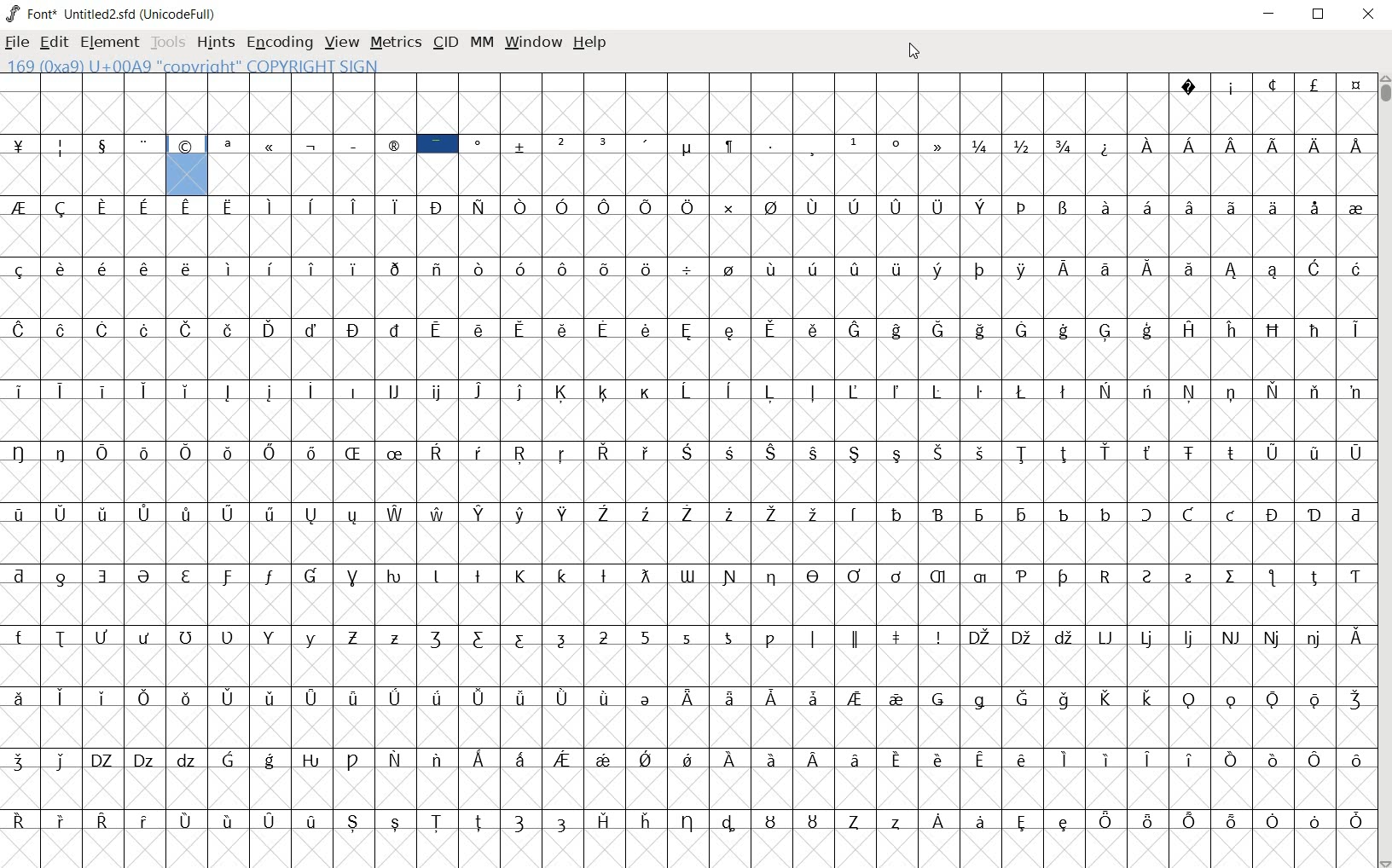  I want to click on edit, so click(52, 40).